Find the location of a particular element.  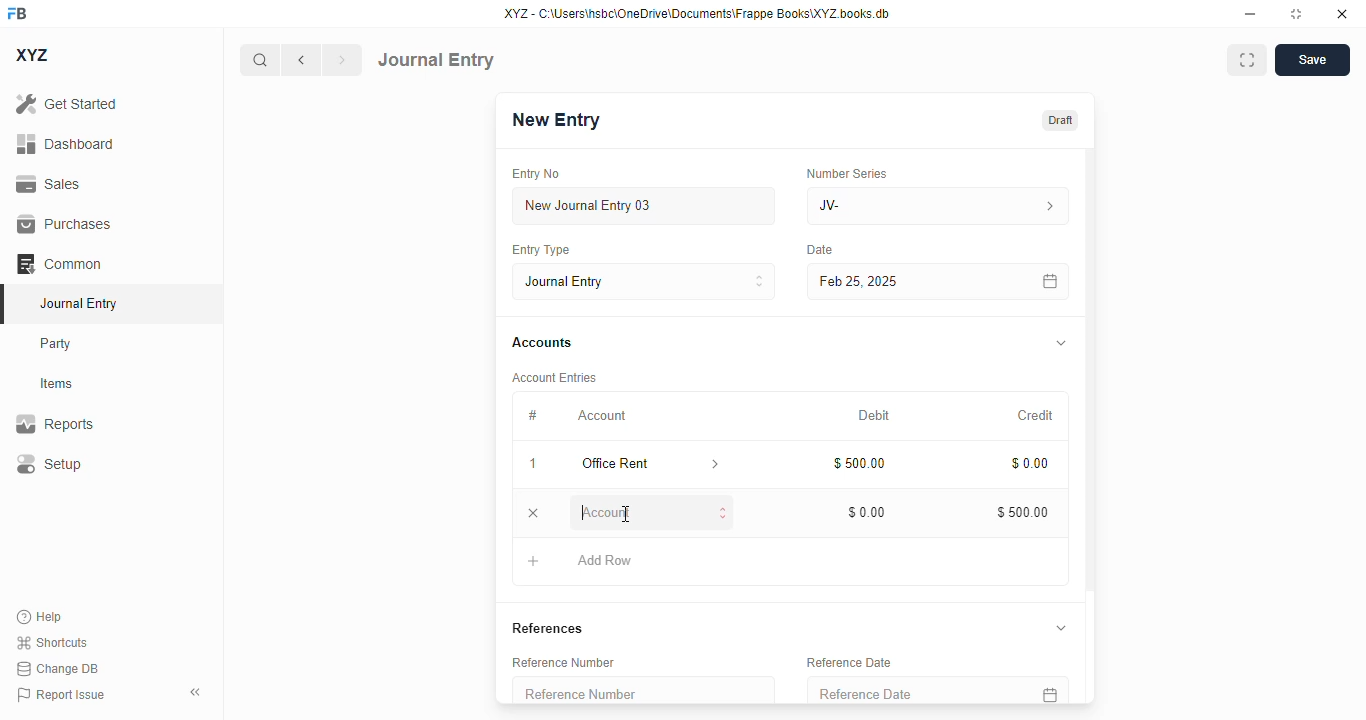

close is located at coordinates (1342, 13).